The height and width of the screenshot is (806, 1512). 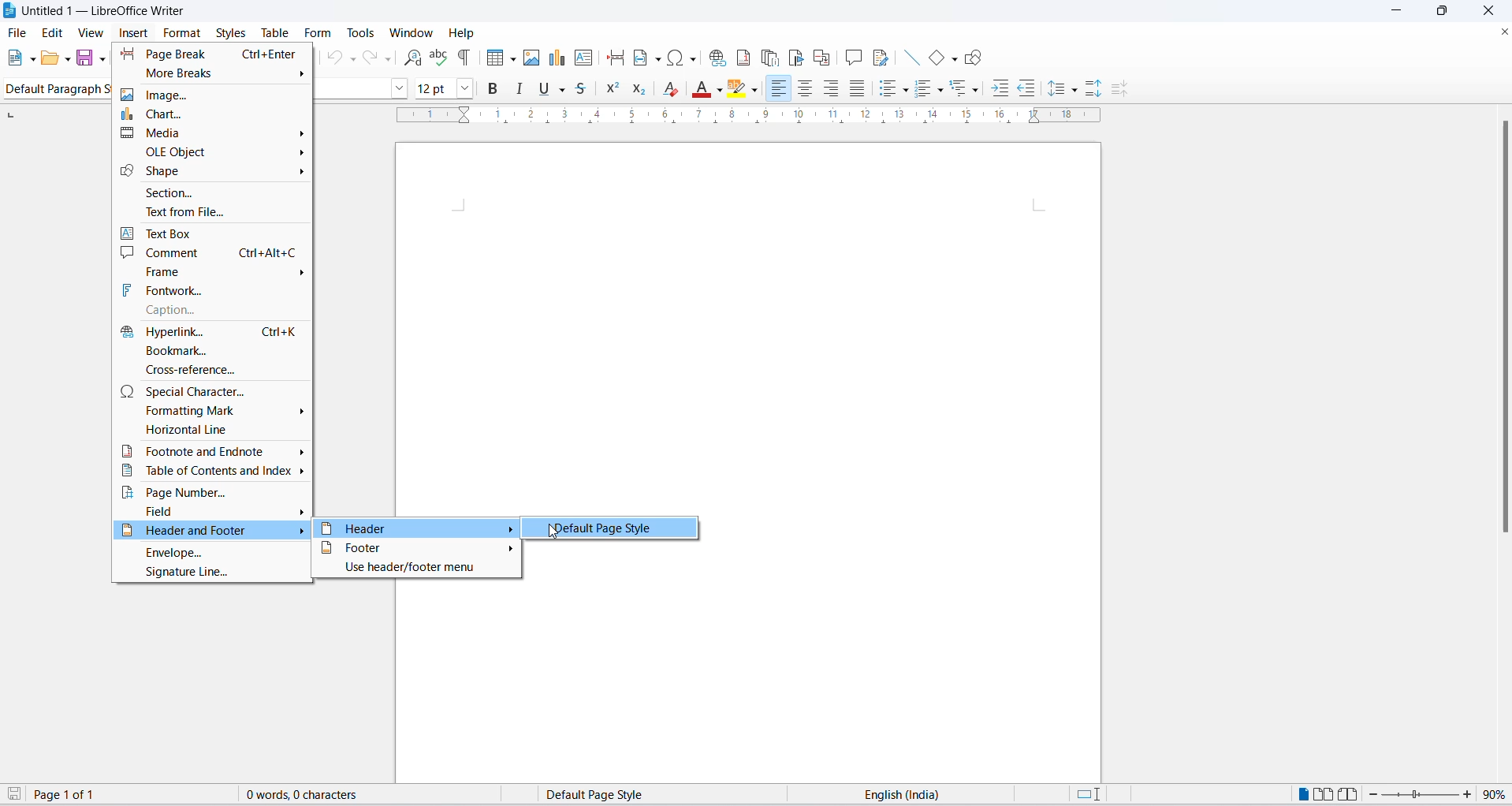 I want to click on underline, so click(x=543, y=91).